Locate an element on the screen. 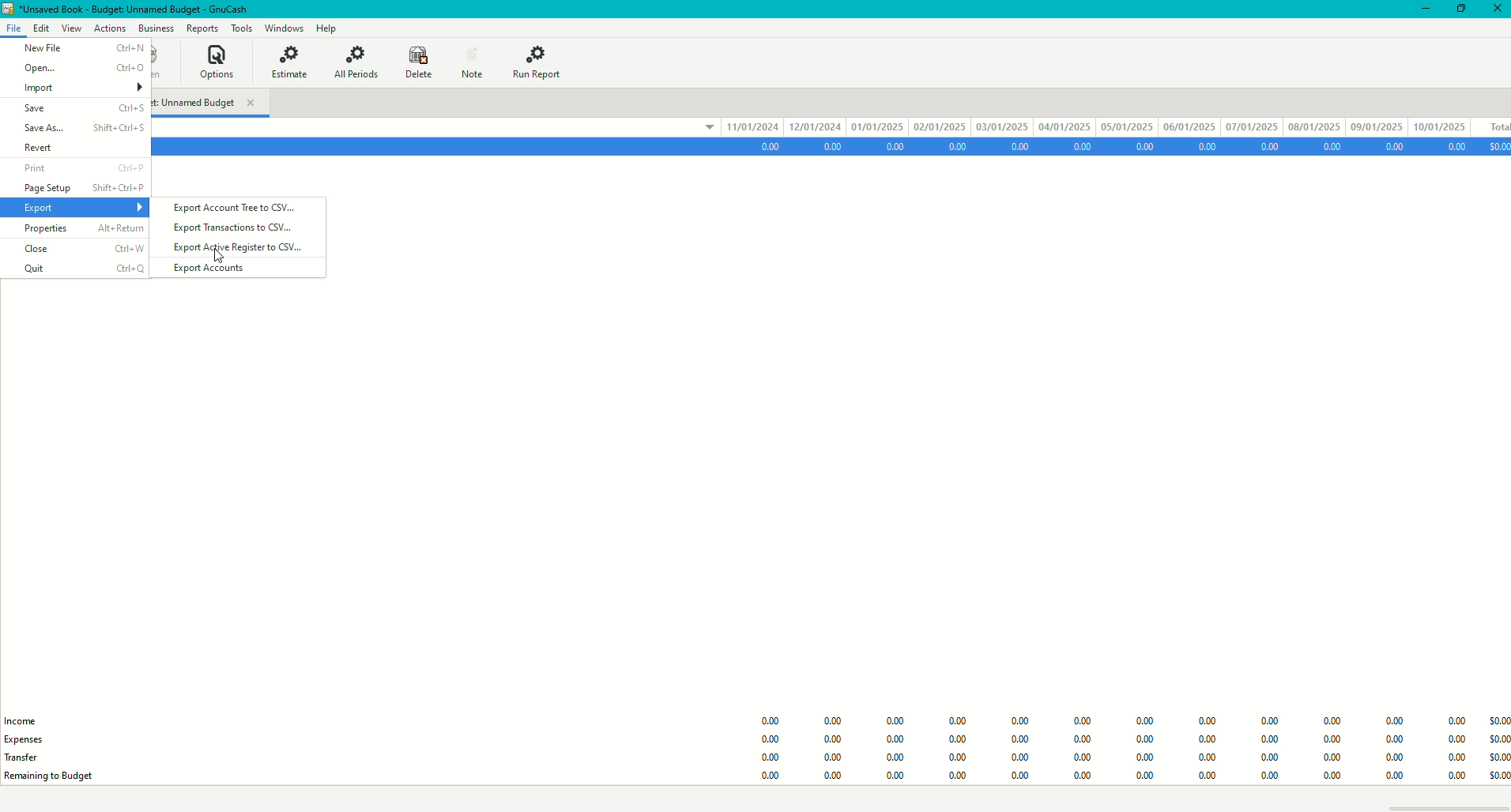 This screenshot has height=812, width=1511. Actions is located at coordinates (110, 26).